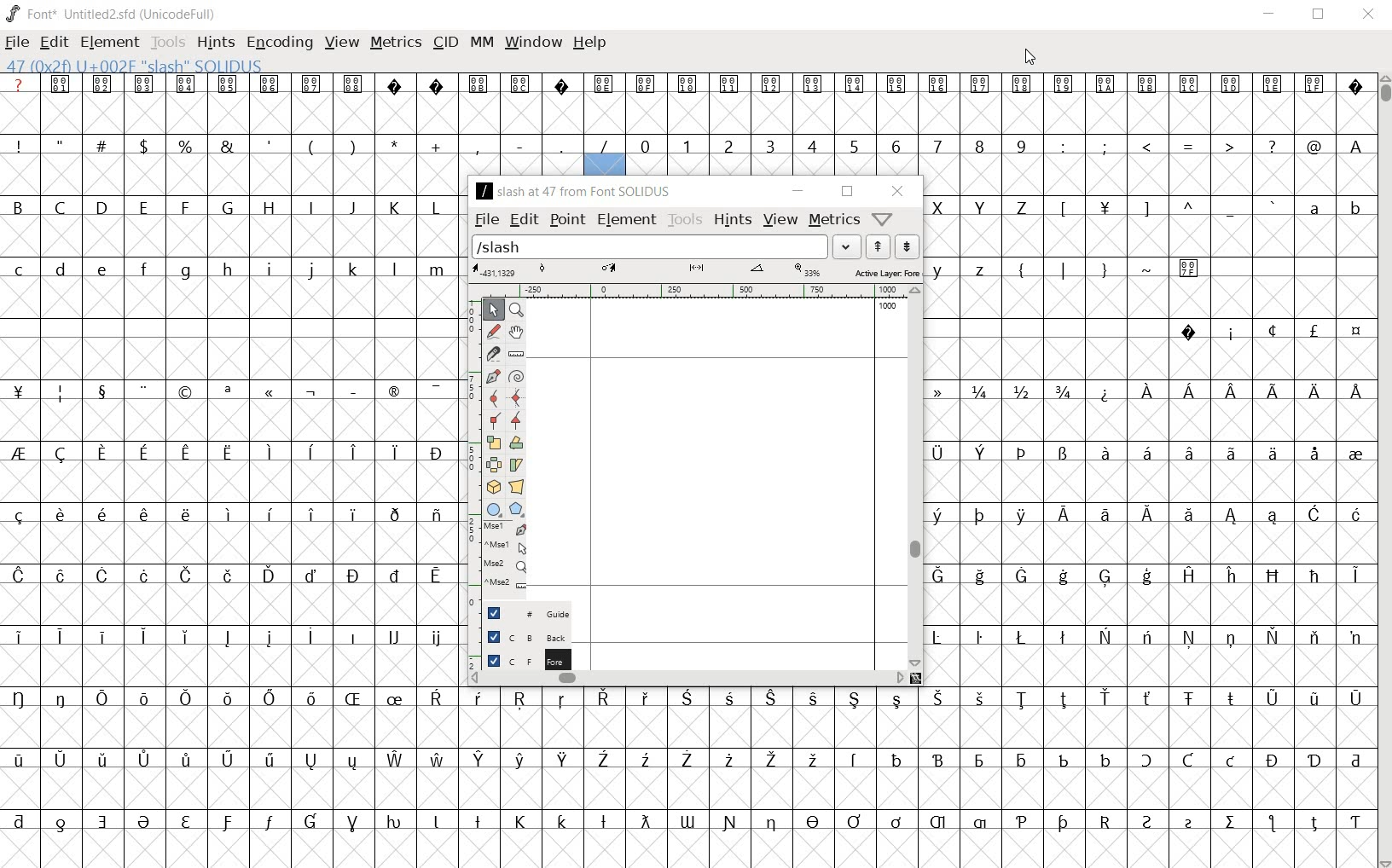  Describe the element at coordinates (514, 333) in the screenshot. I see `scroll by hand` at that location.